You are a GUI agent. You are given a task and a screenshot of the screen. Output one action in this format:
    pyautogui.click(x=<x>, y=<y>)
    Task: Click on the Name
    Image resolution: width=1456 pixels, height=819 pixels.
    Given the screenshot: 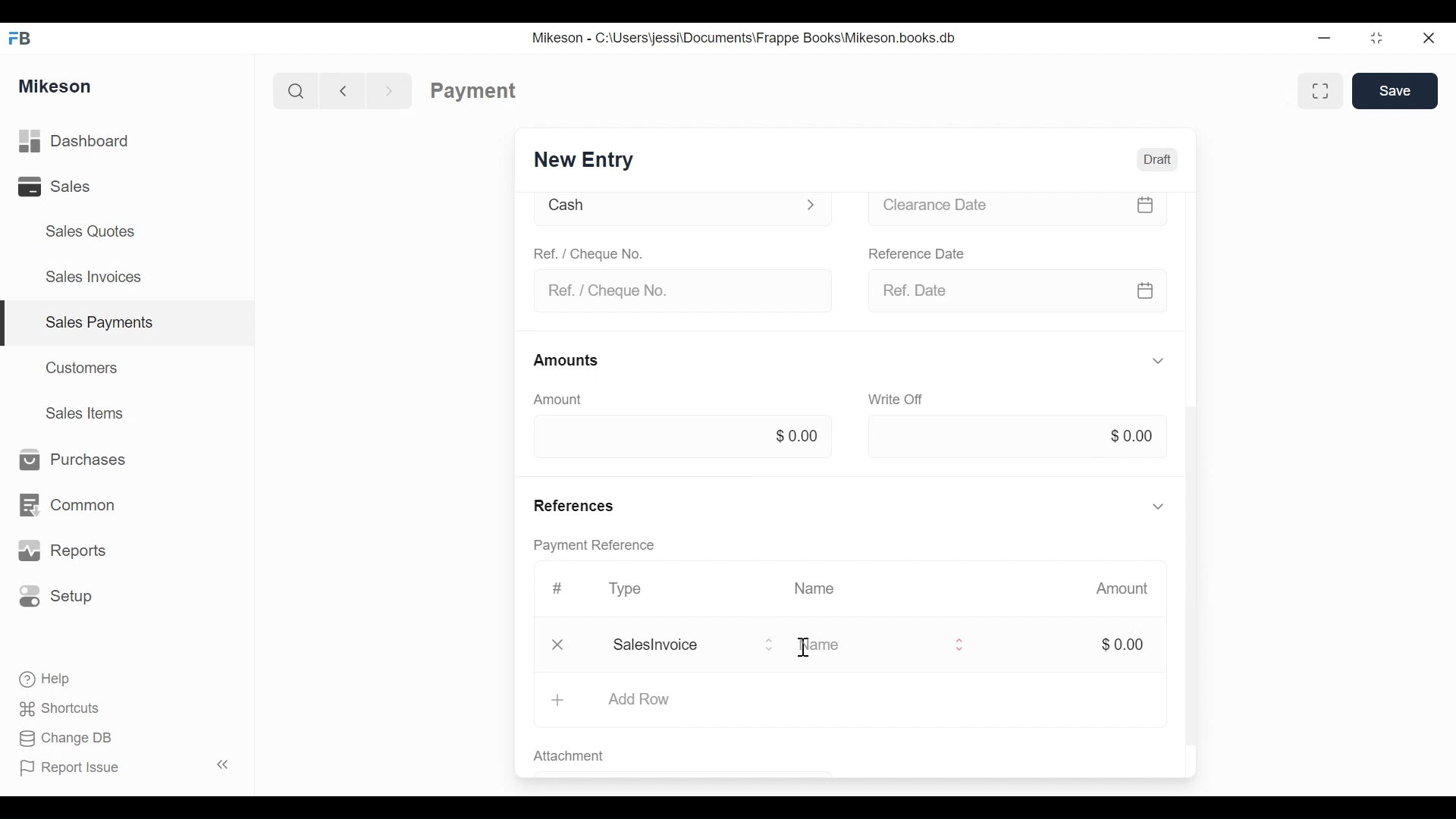 What is the action you would take?
    pyautogui.click(x=818, y=588)
    